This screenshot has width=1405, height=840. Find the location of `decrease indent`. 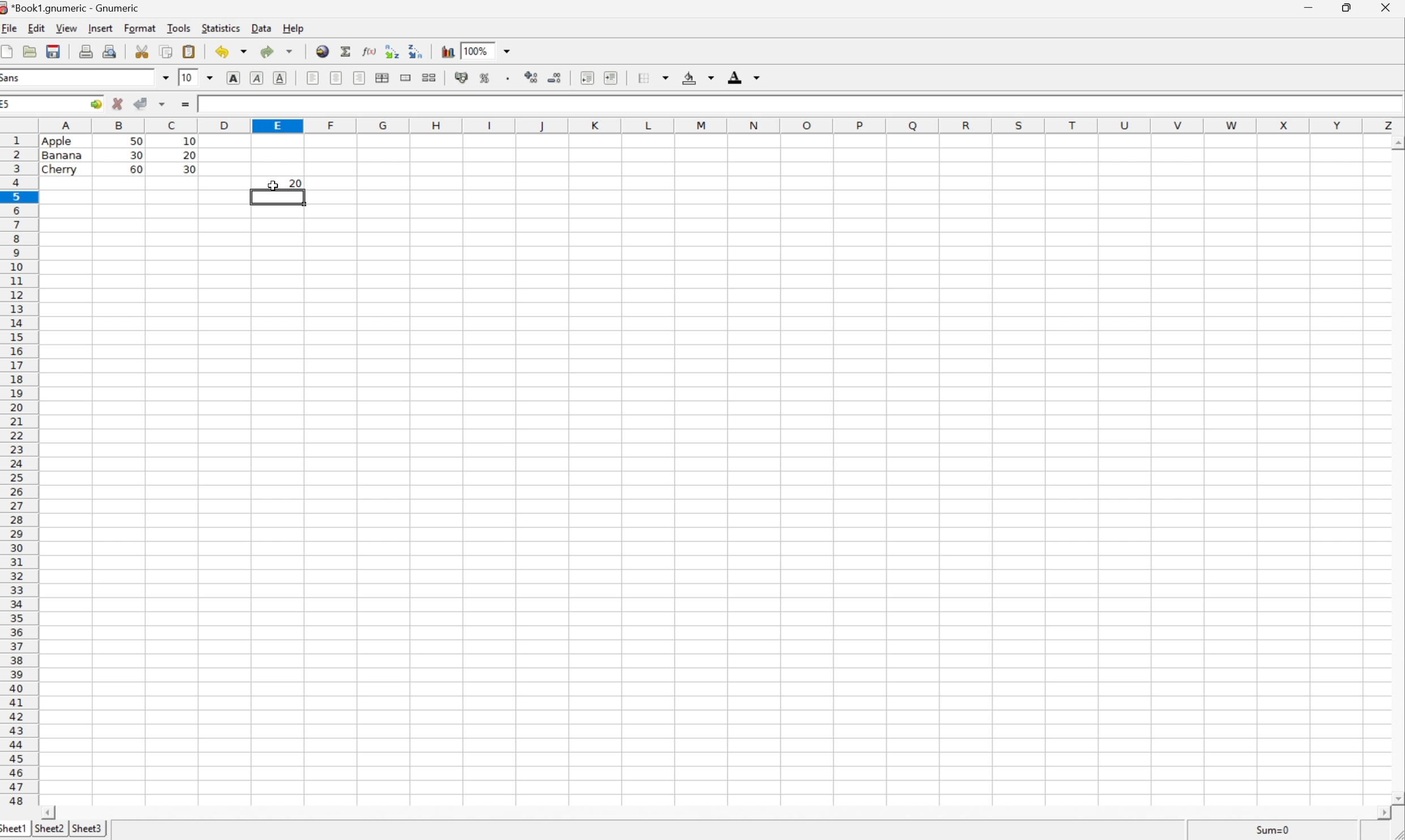

decrease indent is located at coordinates (587, 78).